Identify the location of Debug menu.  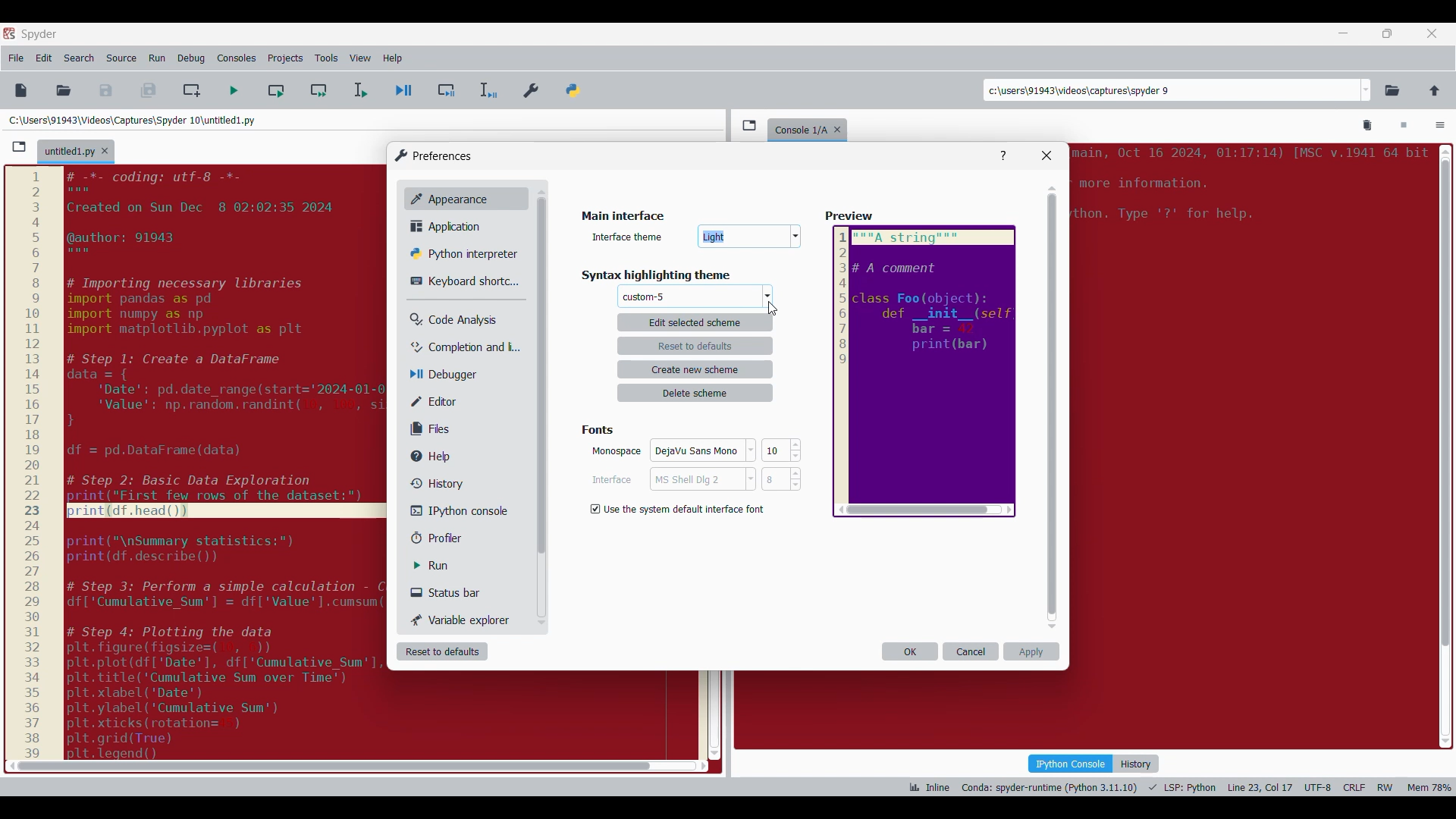
(191, 58).